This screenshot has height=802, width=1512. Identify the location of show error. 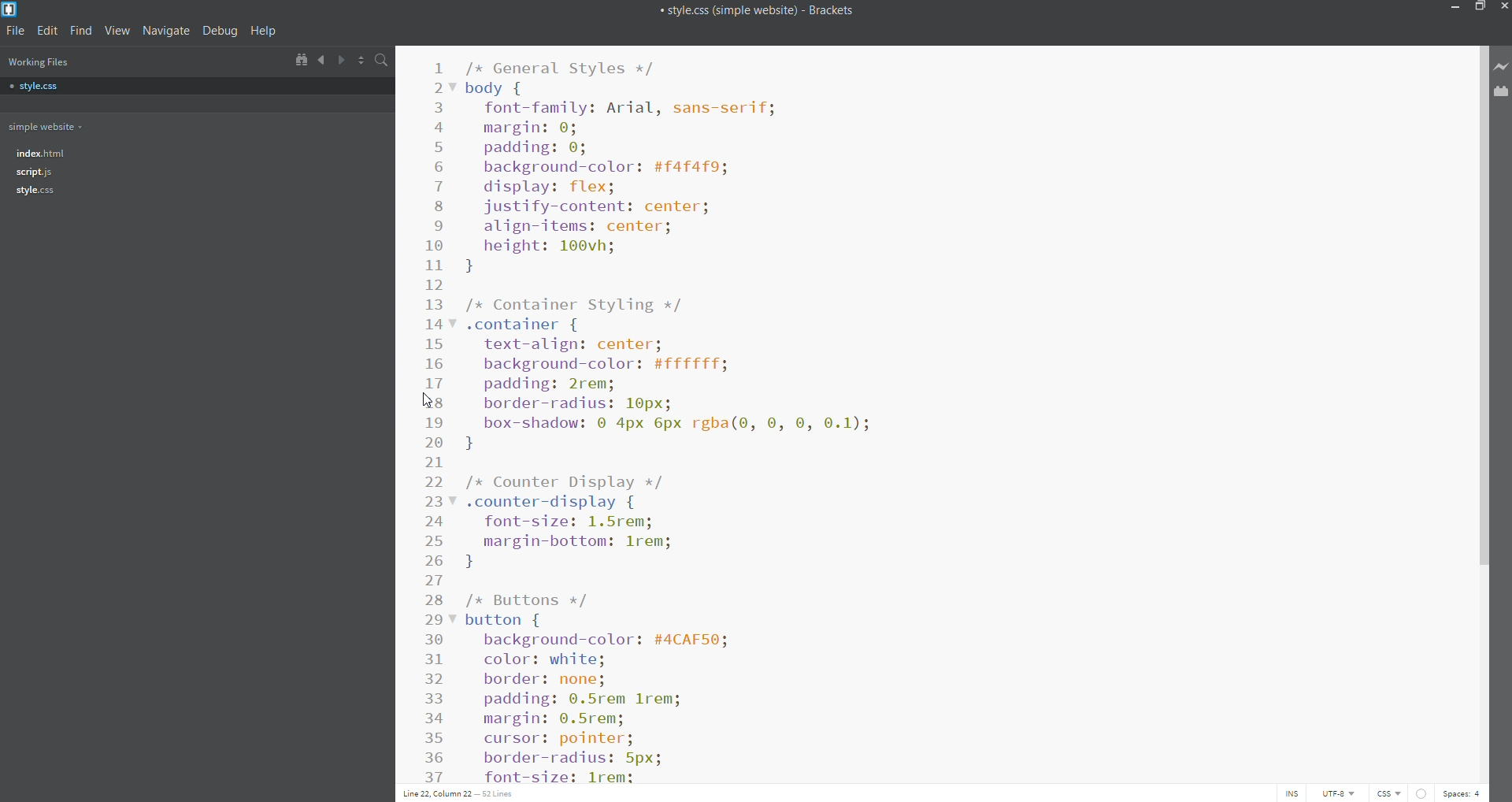
(1422, 793).